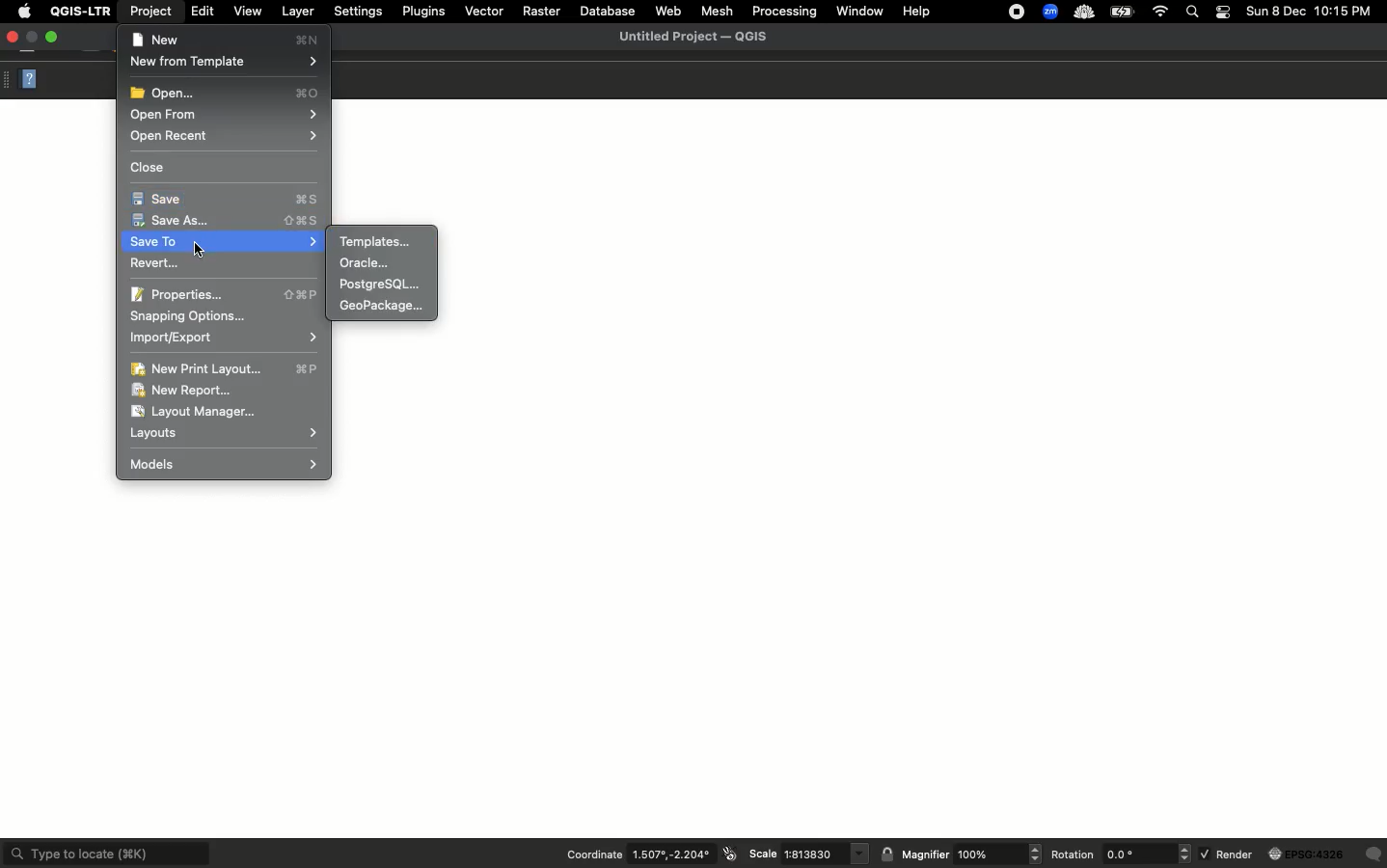 This screenshot has height=868, width=1387. What do you see at coordinates (999, 854) in the screenshot?
I see `magnifier` at bounding box center [999, 854].